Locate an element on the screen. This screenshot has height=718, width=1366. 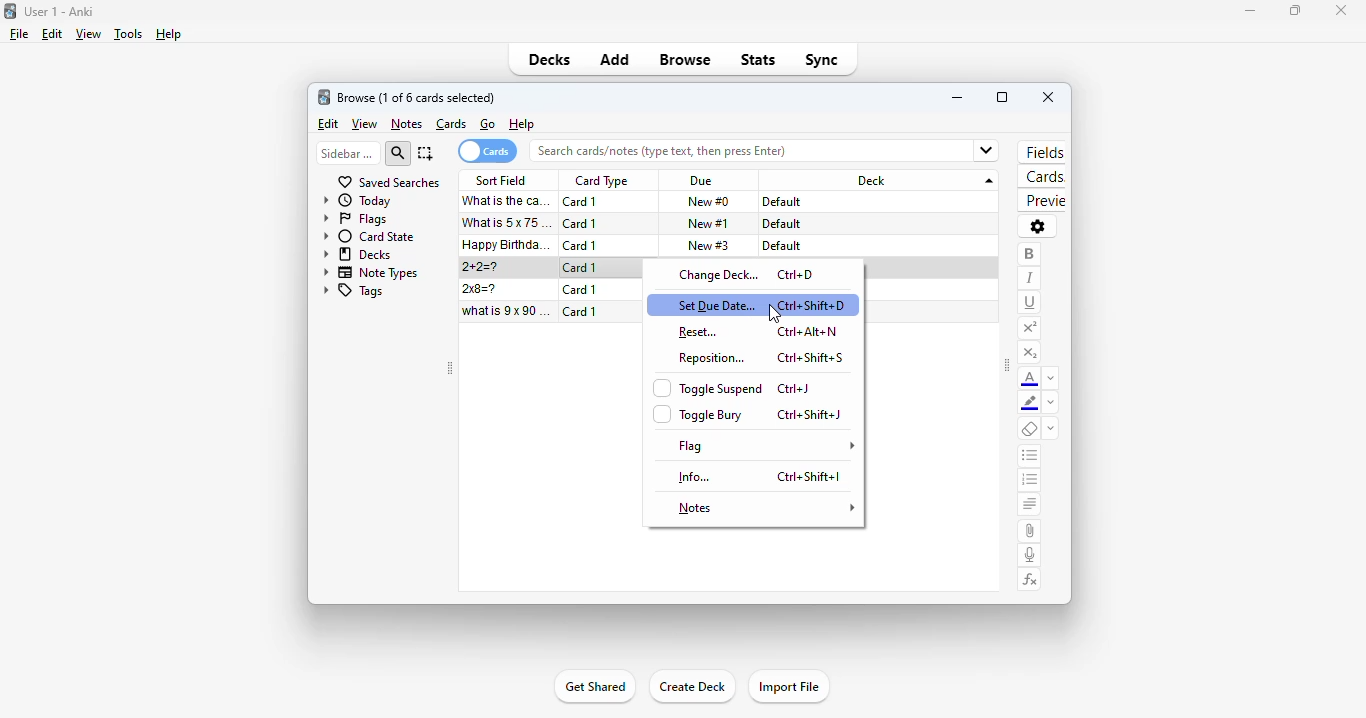
search is located at coordinates (399, 153).